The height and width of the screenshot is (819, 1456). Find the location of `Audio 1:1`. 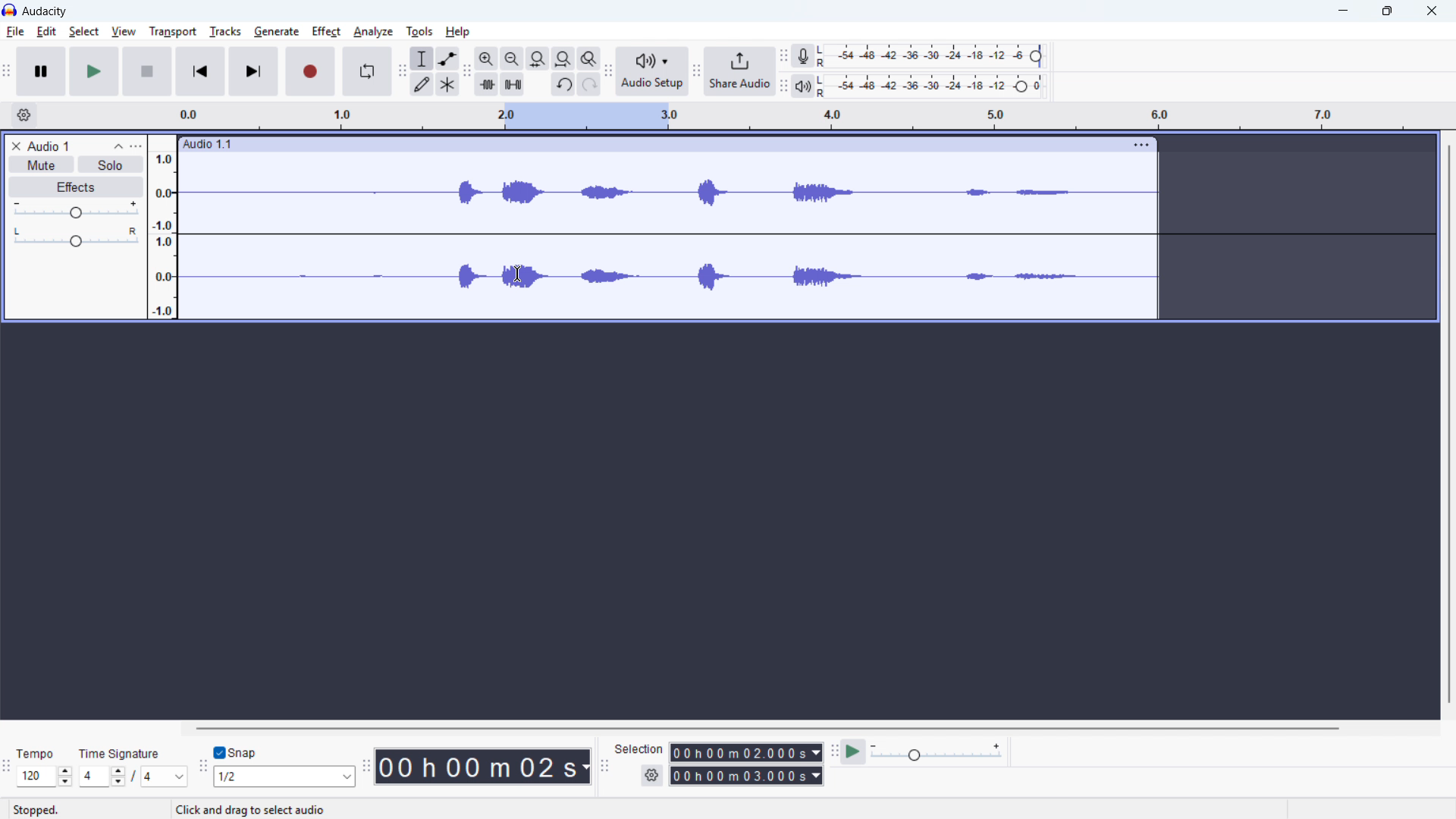

Audio 1:1 is located at coordinates (649, 144).